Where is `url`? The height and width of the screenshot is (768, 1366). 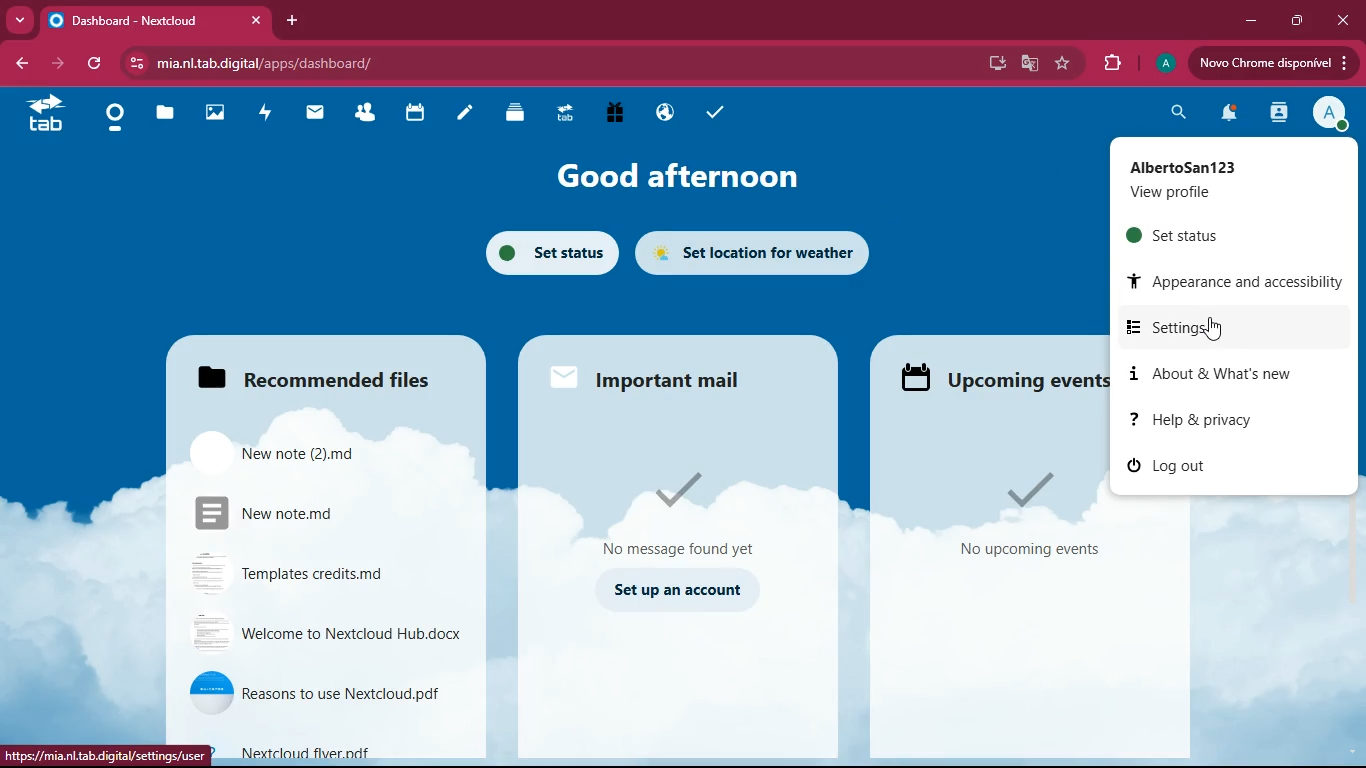
url is located at coordinates (109, 755).